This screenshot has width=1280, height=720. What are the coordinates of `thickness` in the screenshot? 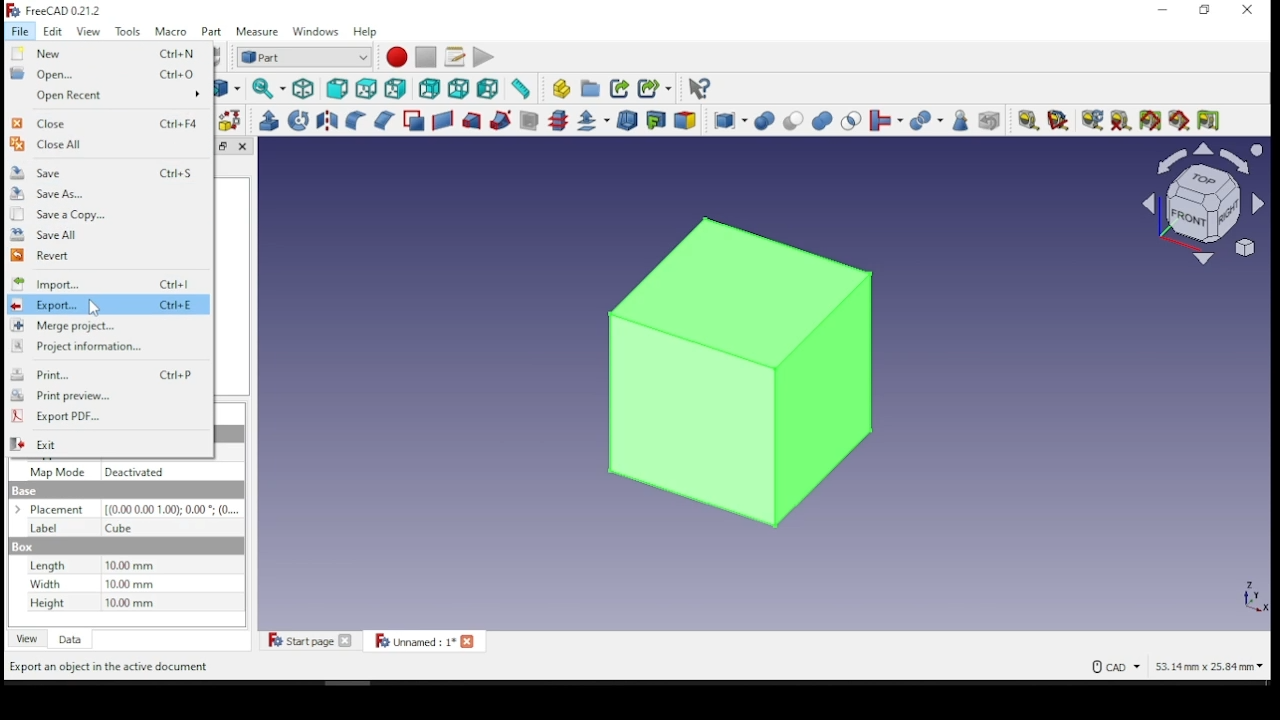 It's located at (627, 121).